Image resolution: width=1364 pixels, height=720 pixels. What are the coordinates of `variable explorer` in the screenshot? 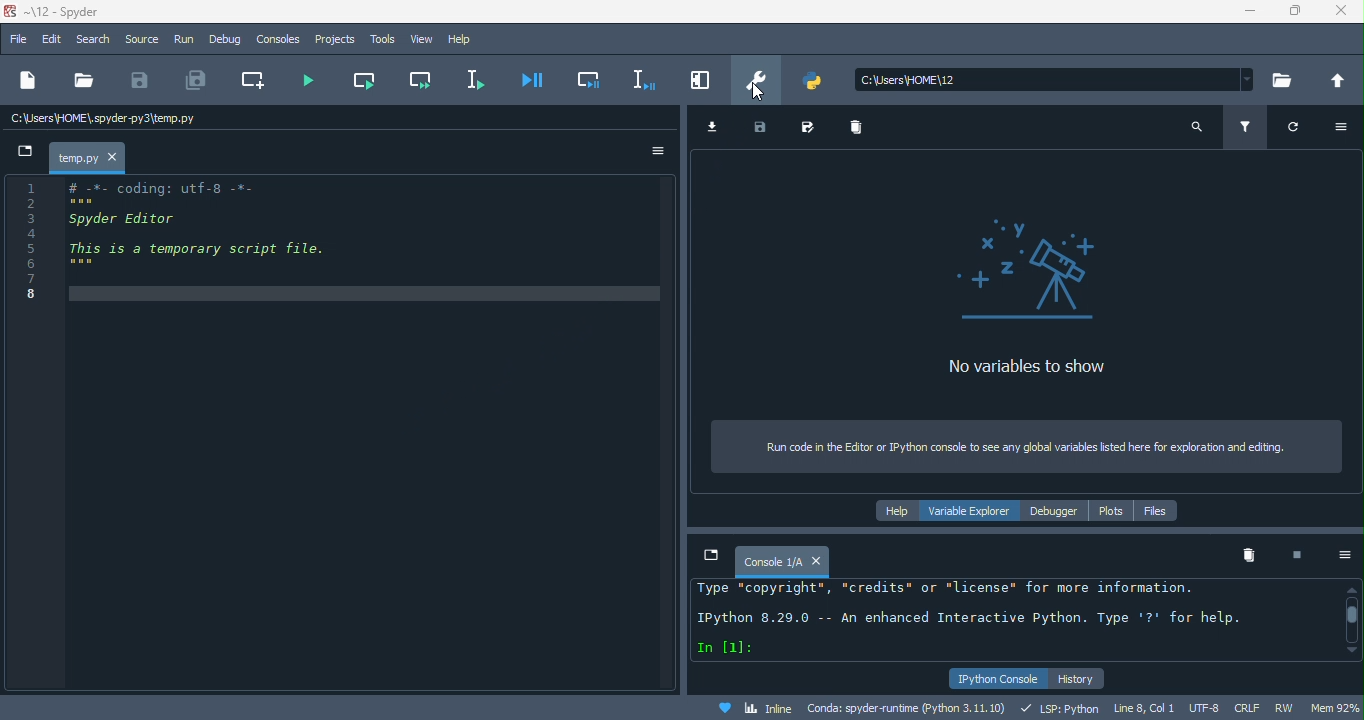 It's located at (977, 511).